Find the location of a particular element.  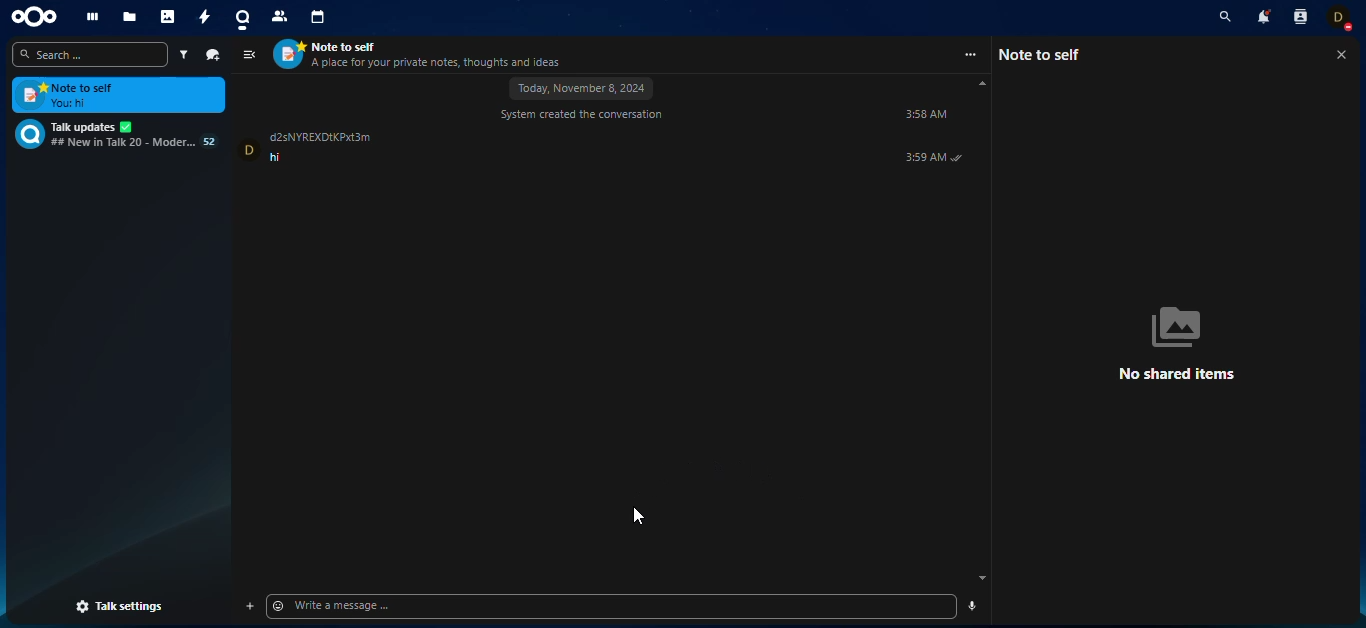

contact is located at coordinates (279, 19).